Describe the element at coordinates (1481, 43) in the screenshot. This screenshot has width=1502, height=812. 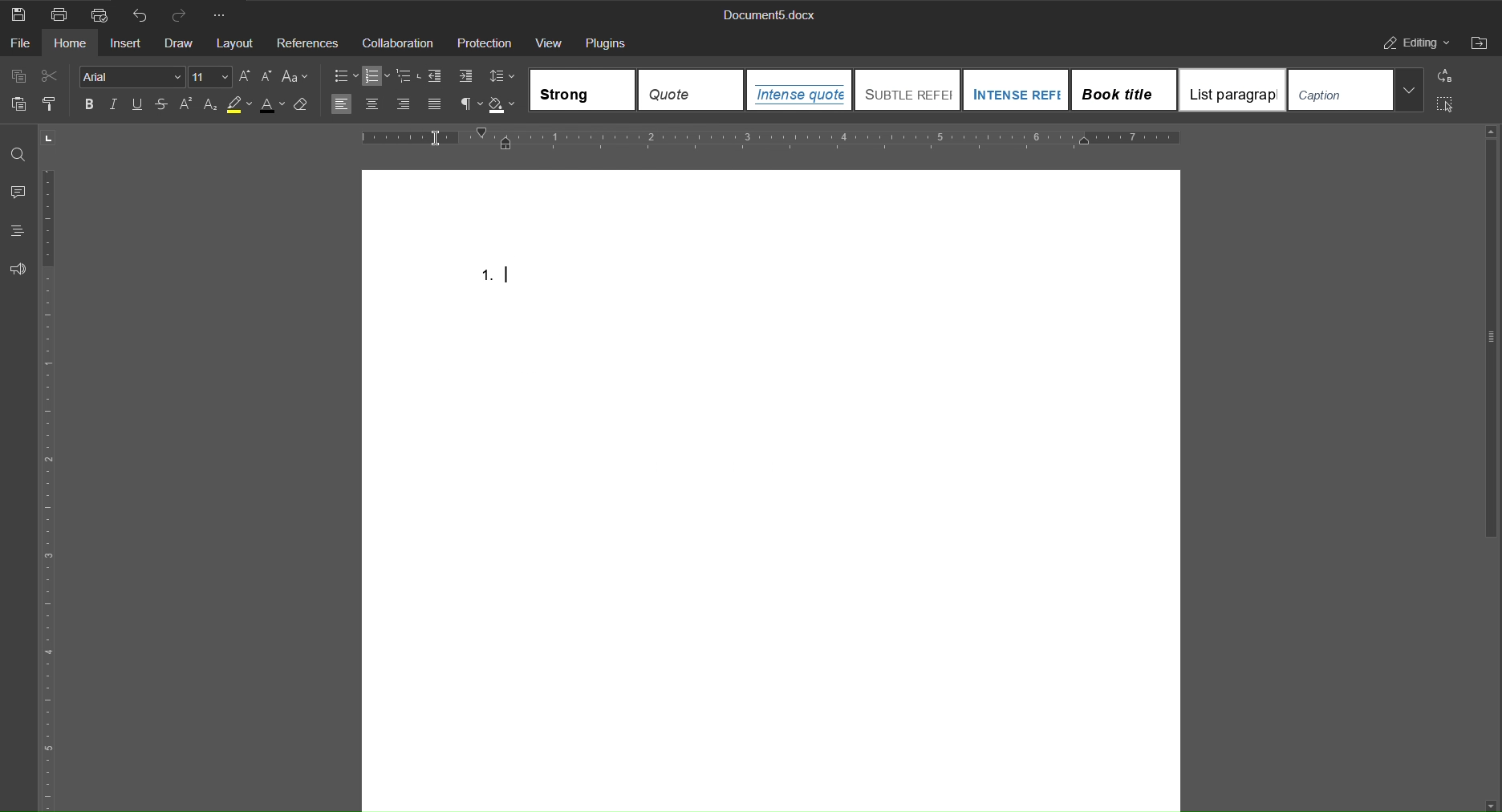
I see `Open File Location` at that location.